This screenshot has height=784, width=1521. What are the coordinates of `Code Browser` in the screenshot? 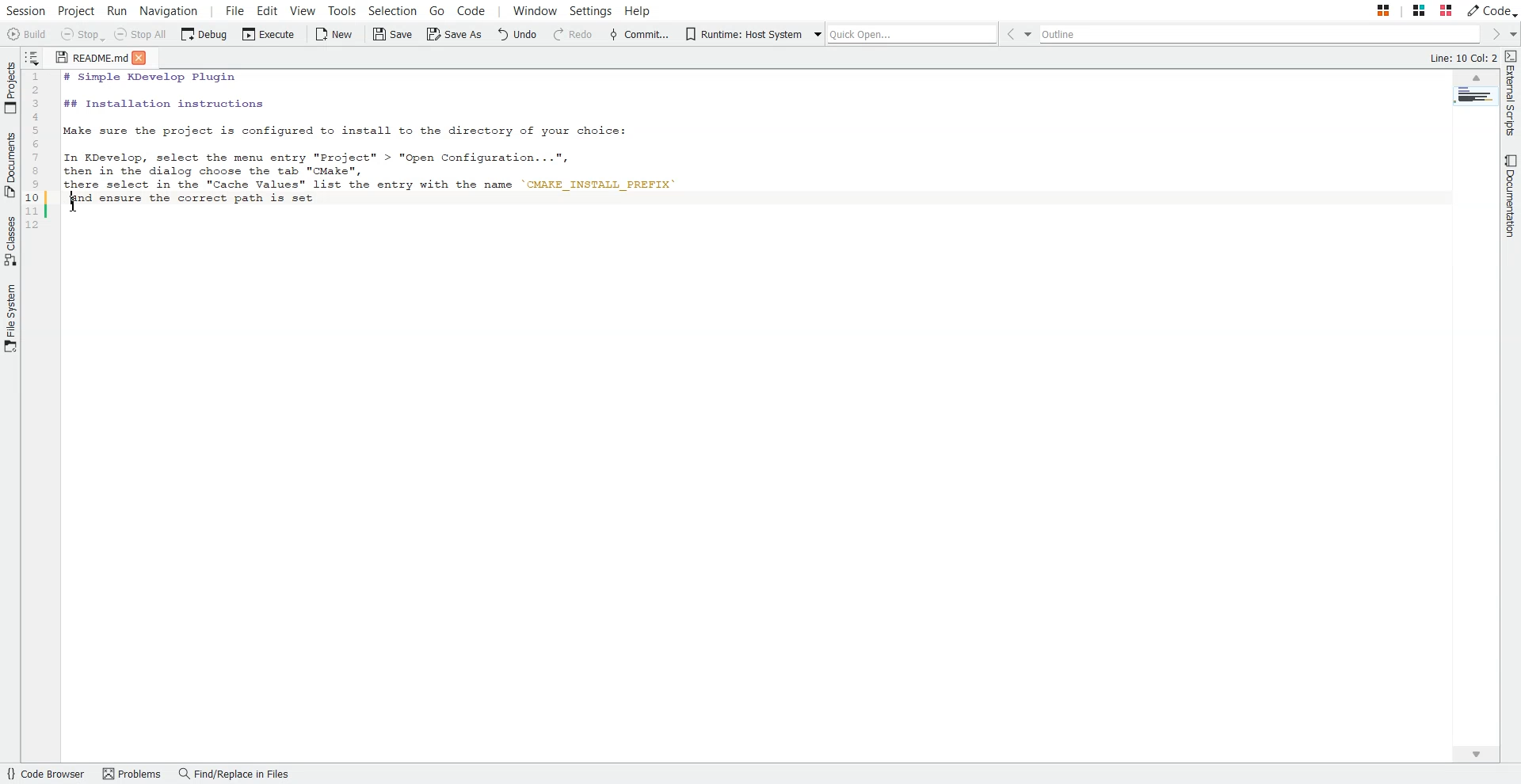 It's located at (46, 774).